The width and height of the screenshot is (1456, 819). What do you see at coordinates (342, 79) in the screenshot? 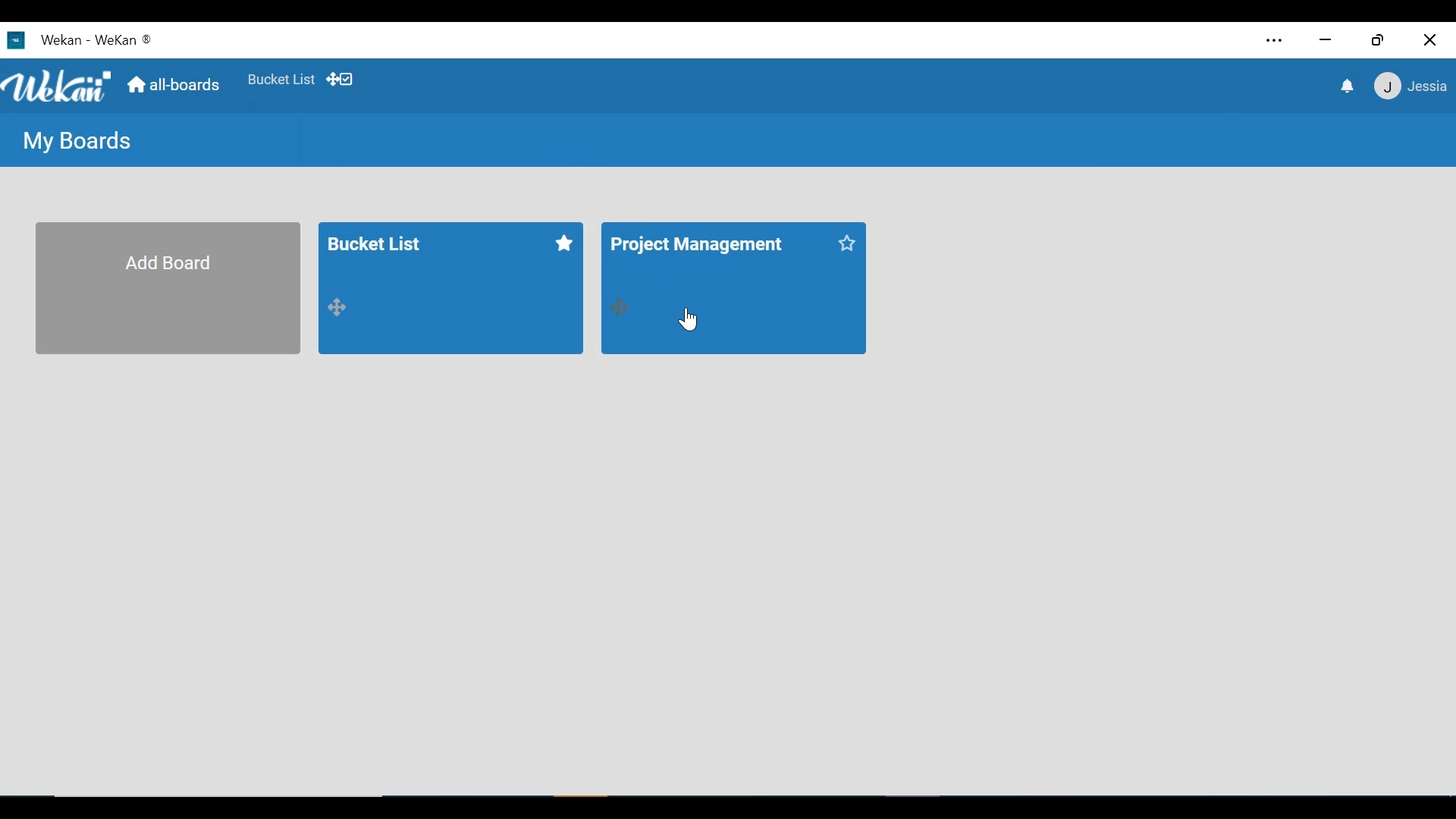
I see `Show Desktop drag handles` at bounding box center [342, 79].